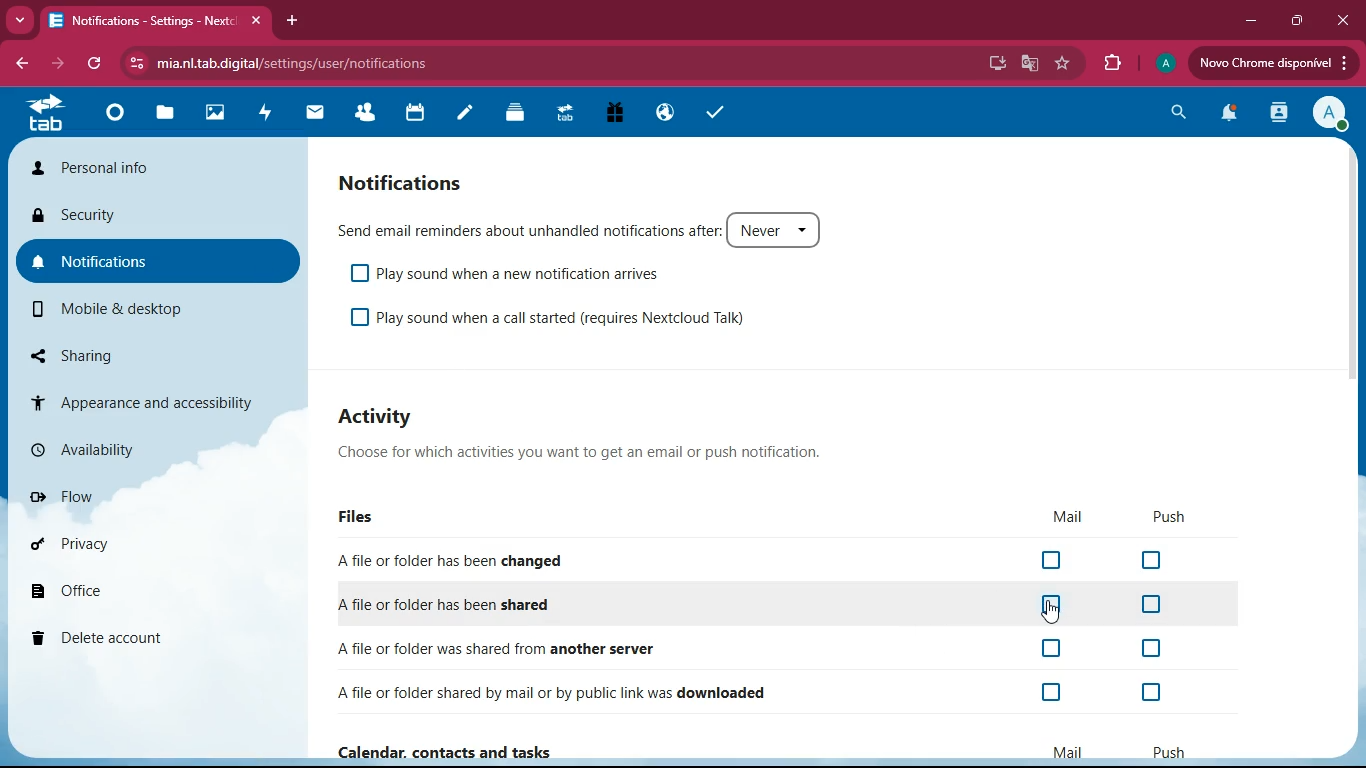  What do you see at coordinates (464, 562) in the screenshot?
I see `changed` at bounding box center [464, 562].